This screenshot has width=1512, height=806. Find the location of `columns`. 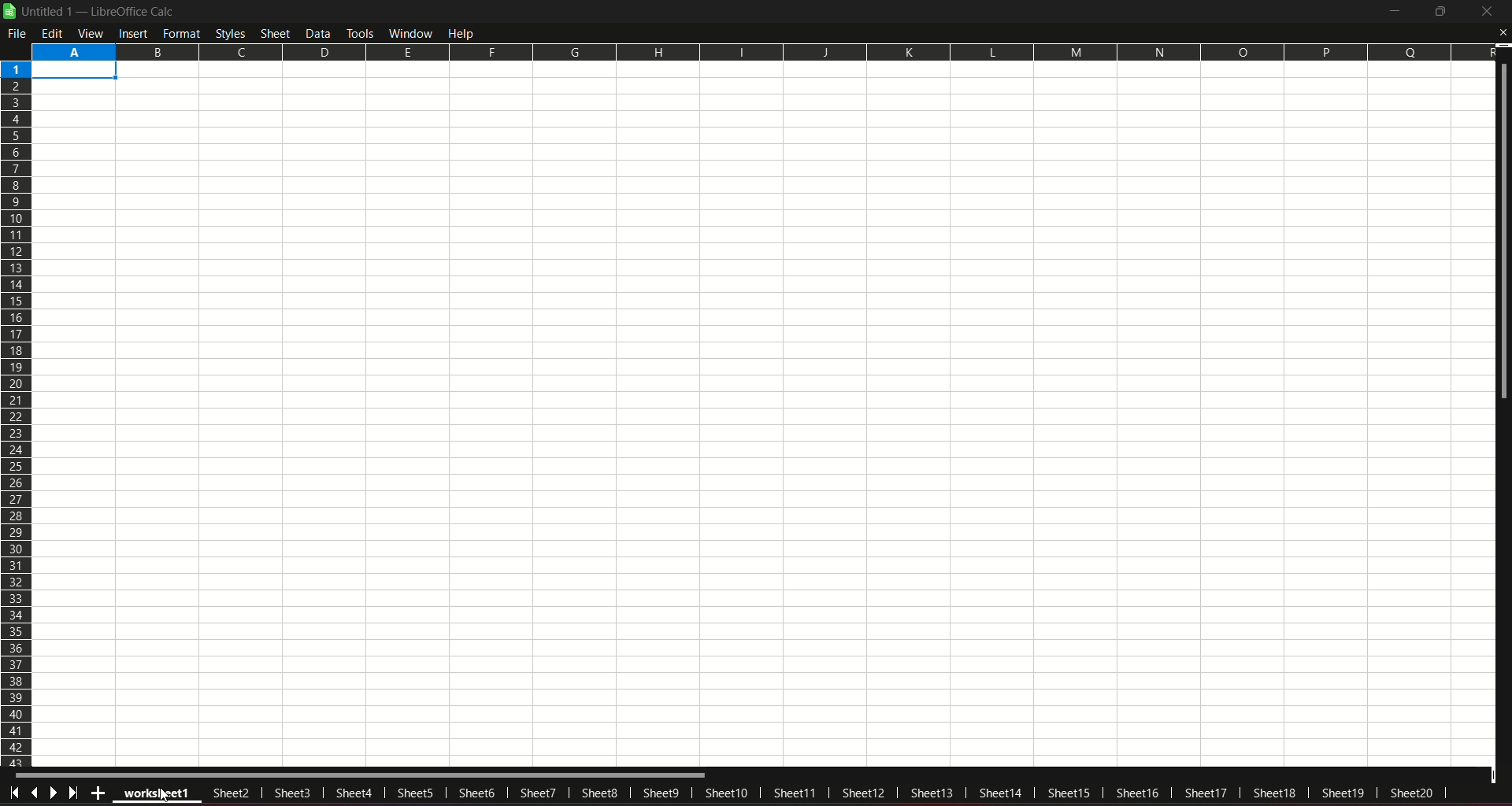

columns is located at coordinates (761, 50).